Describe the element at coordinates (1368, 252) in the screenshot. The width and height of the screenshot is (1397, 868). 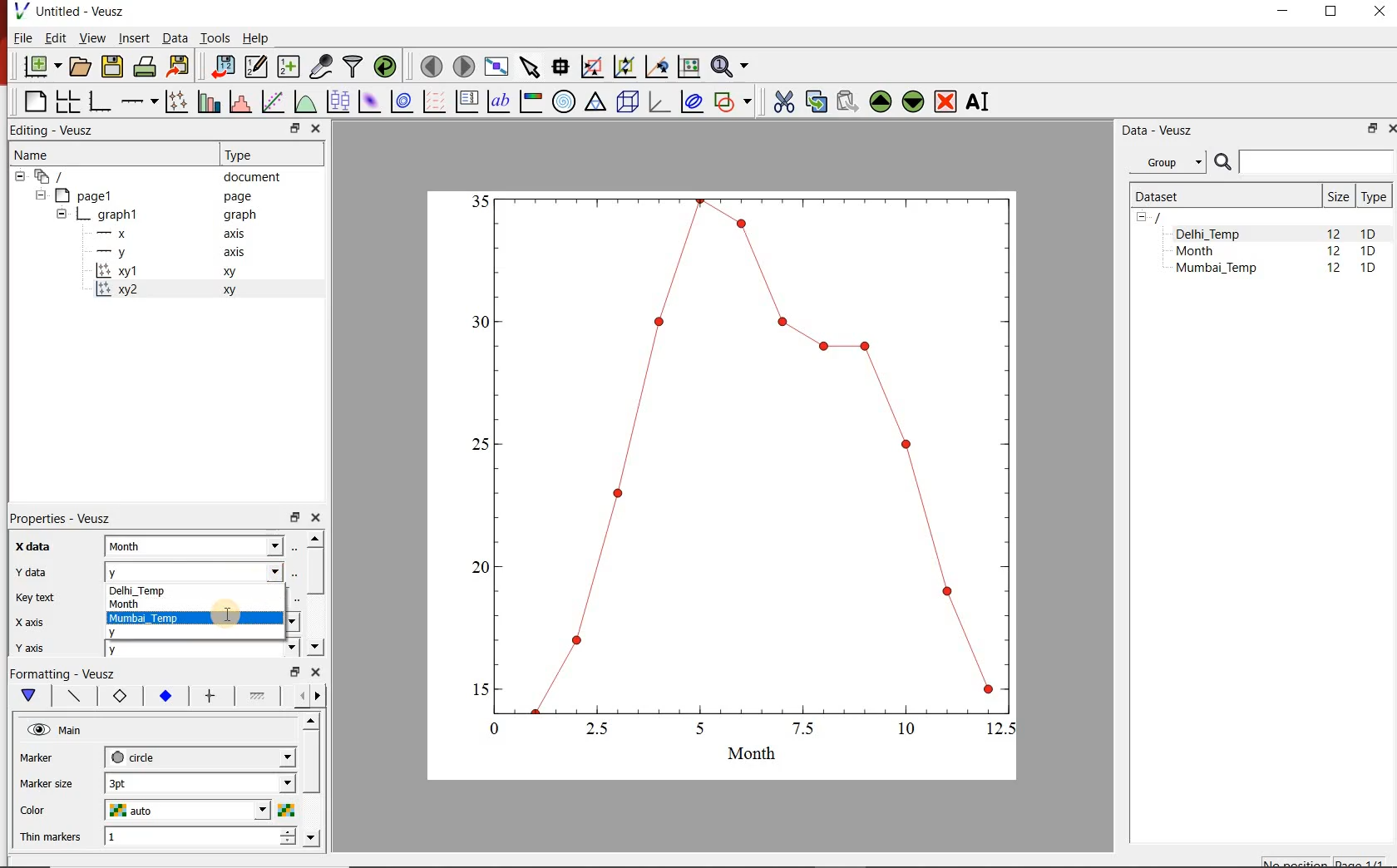
I see `1D` at that location.